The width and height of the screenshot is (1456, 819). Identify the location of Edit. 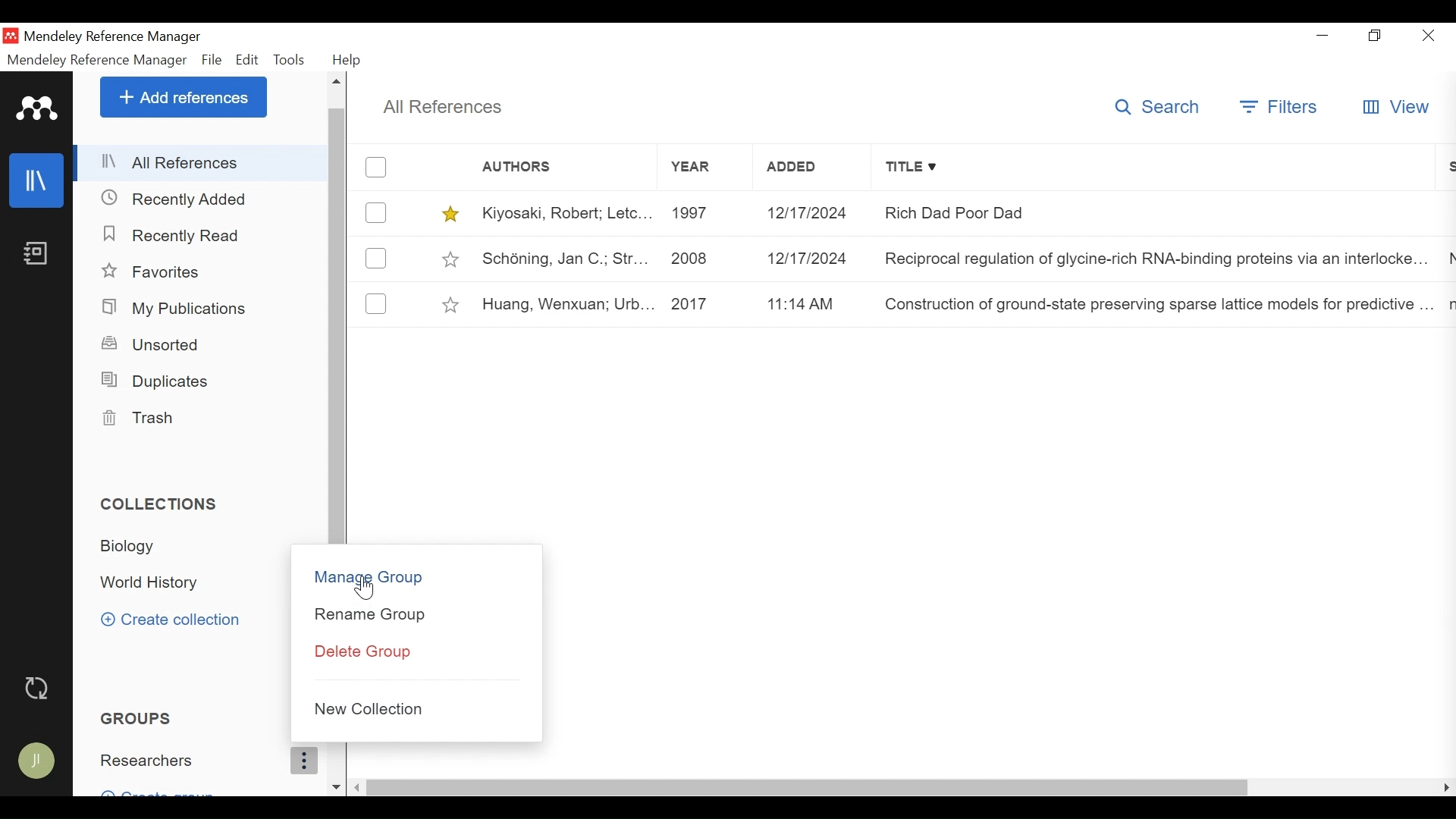
(246, 60).